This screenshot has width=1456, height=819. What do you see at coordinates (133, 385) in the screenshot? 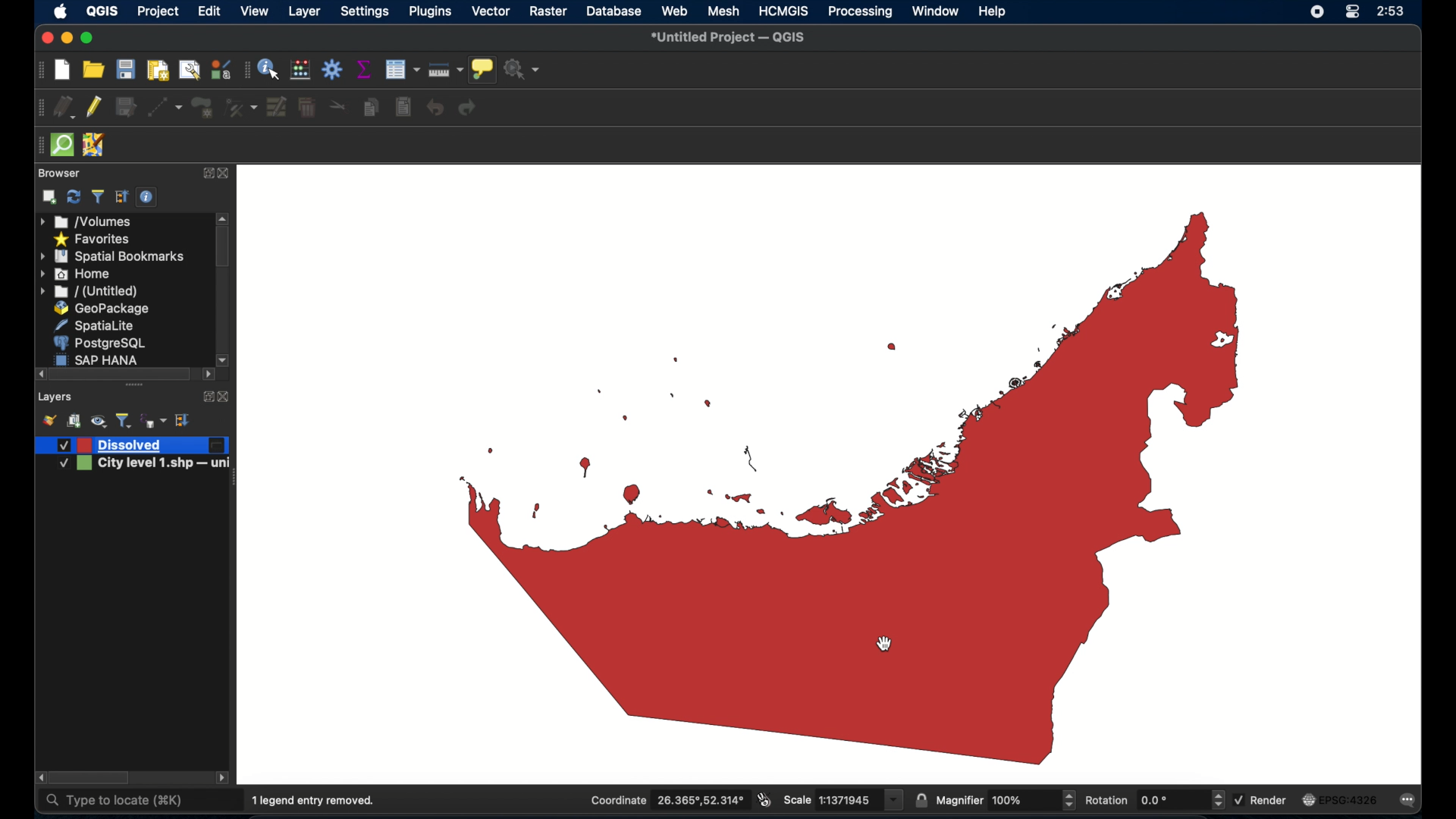
I see `drag handle` at bounding box center [133, 385].